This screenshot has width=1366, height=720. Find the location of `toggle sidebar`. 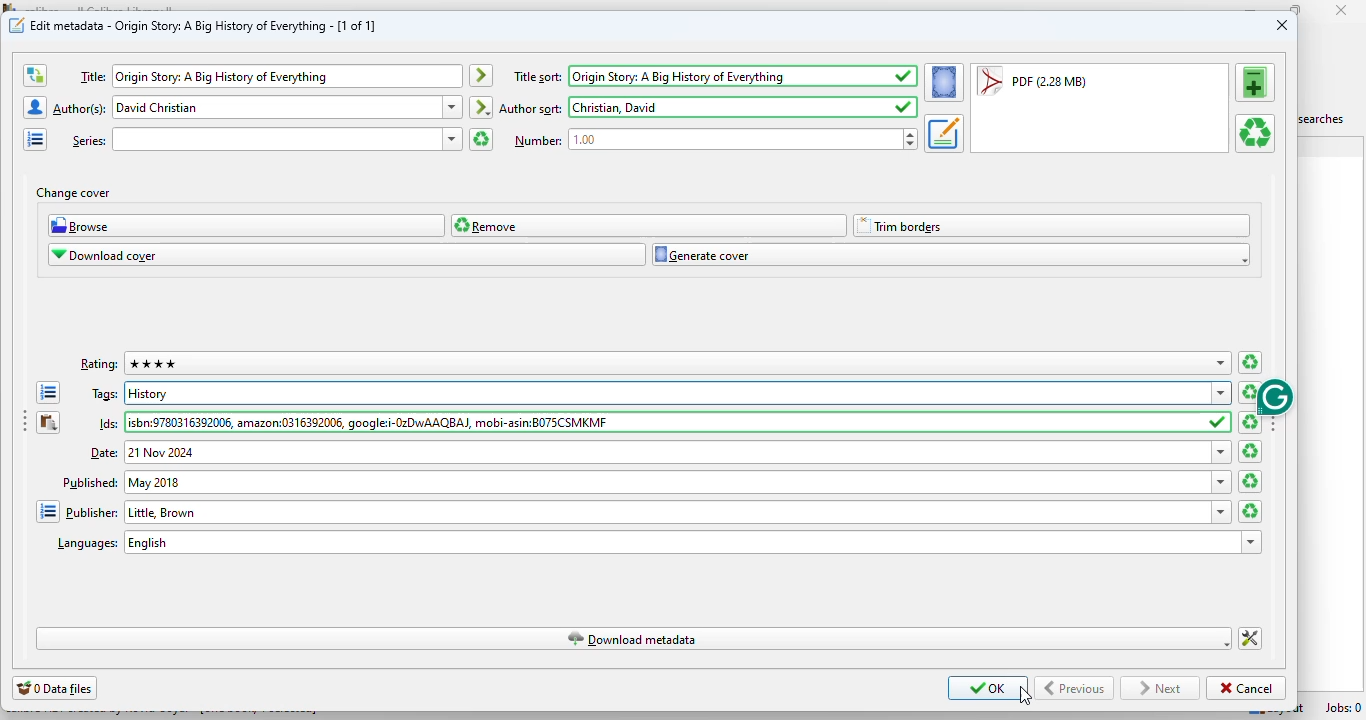

toggle sidebar is located at coordinates (22, 423).